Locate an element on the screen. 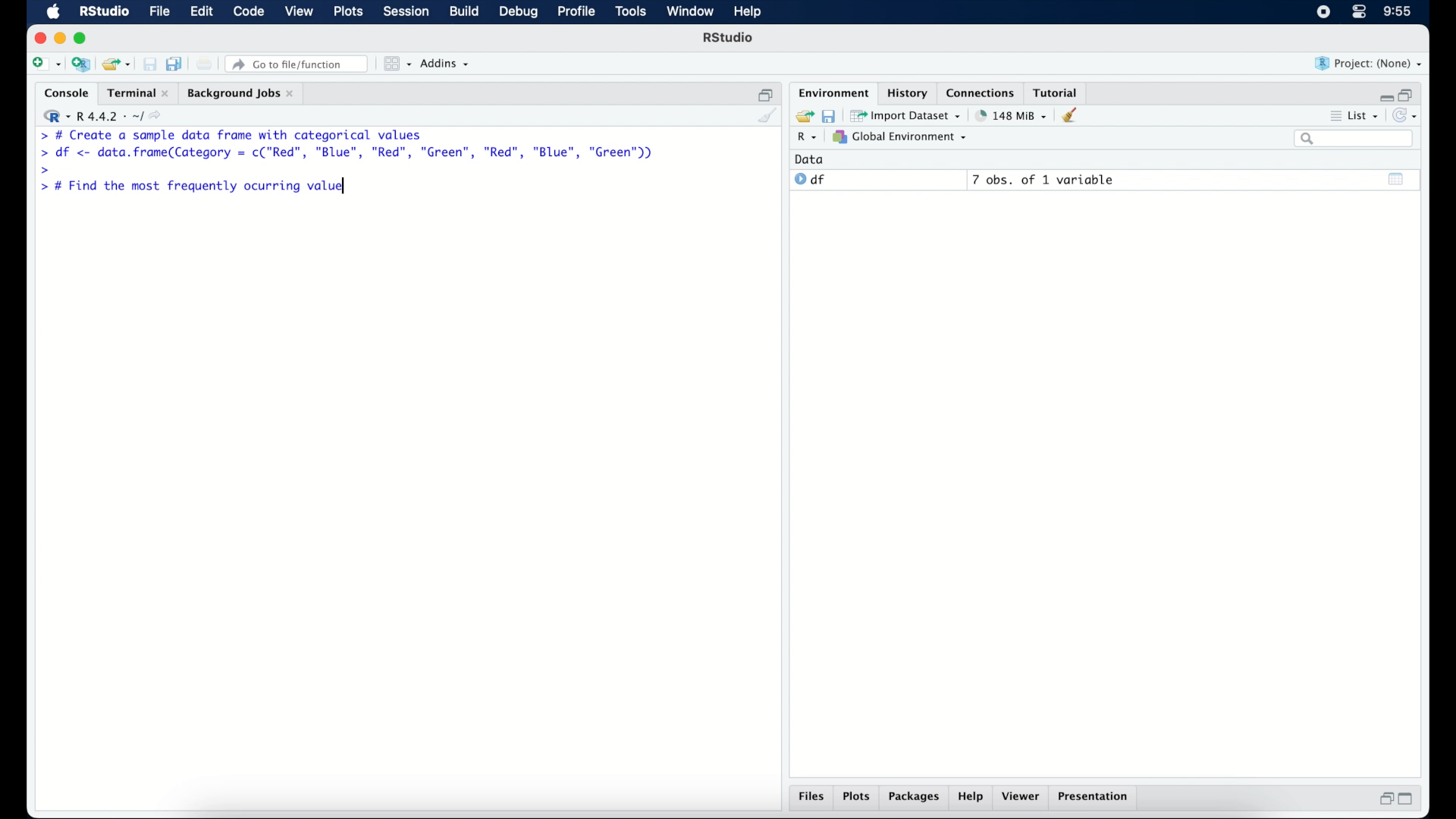 The image size is (1456, 819). help is located at coordinates (973, 798).